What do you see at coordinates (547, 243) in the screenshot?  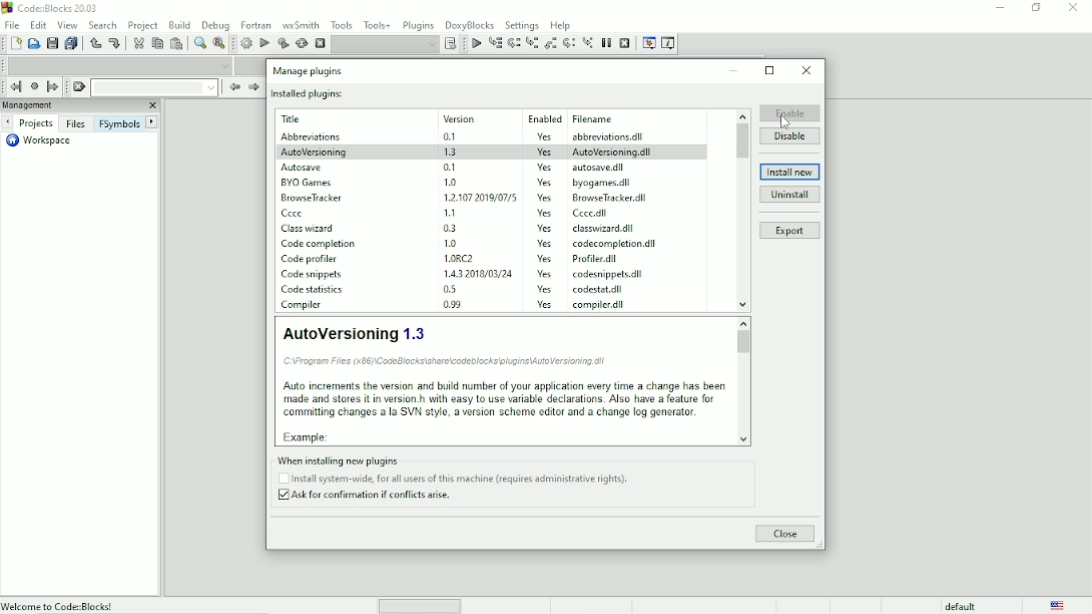 I see `Yes` at bounding box center [547, 243].